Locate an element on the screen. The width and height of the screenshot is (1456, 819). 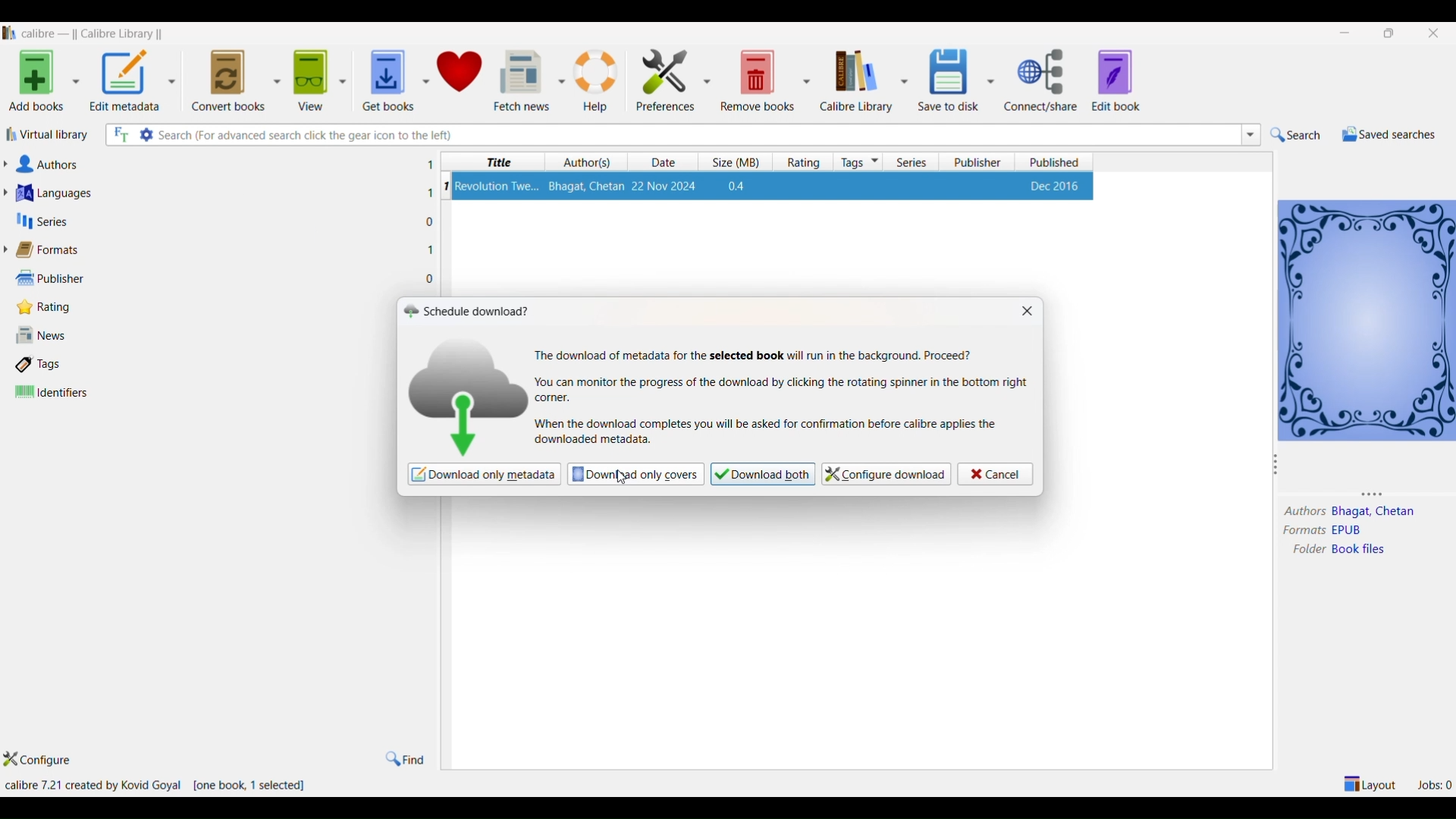
remove books is located at coordinates (758, 79).